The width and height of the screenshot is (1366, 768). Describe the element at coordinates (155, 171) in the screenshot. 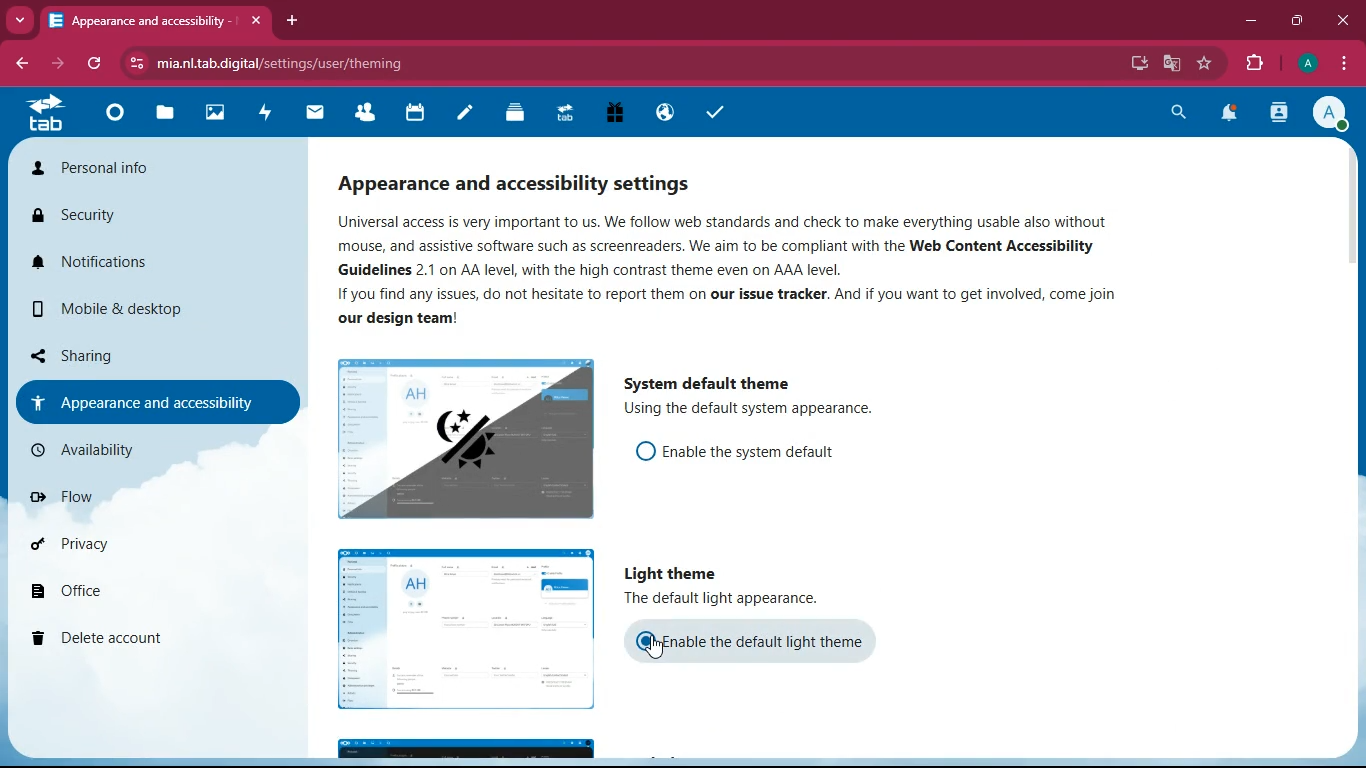

I see `personal info` at that location.